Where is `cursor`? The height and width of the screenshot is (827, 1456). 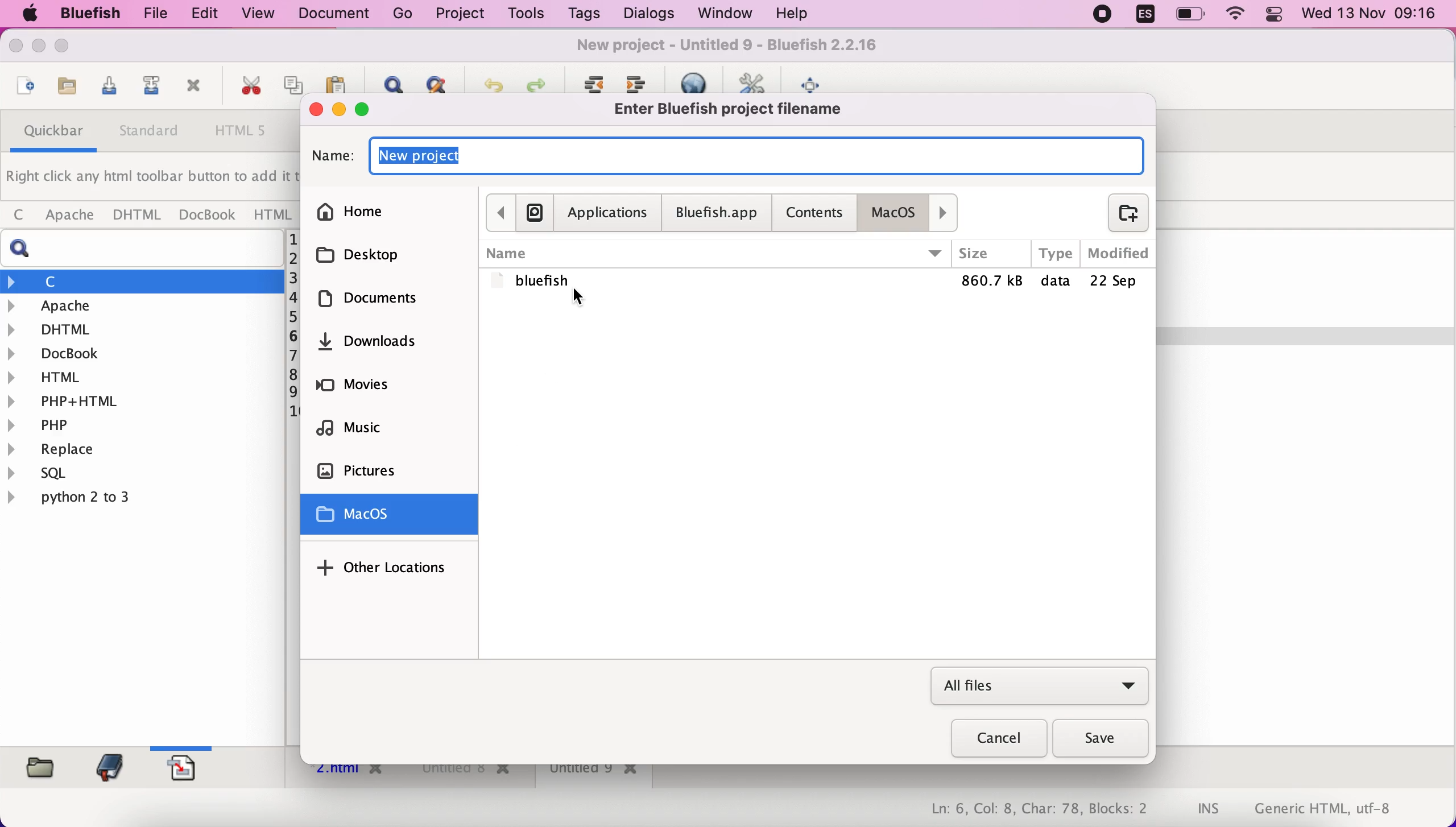
cursor is located at coordinates (577, 300).